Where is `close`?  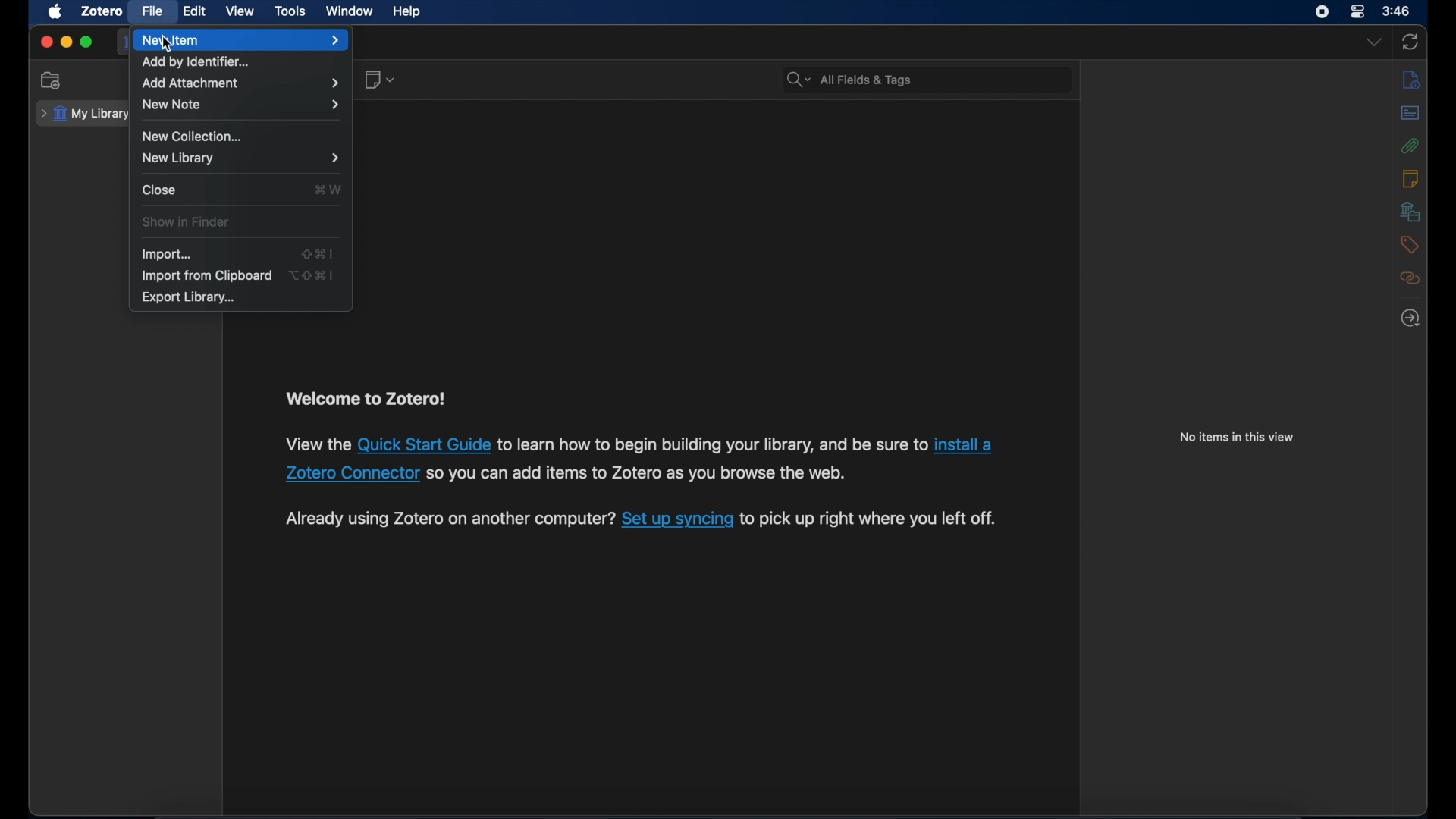 close is located at coordinates (45, 42).